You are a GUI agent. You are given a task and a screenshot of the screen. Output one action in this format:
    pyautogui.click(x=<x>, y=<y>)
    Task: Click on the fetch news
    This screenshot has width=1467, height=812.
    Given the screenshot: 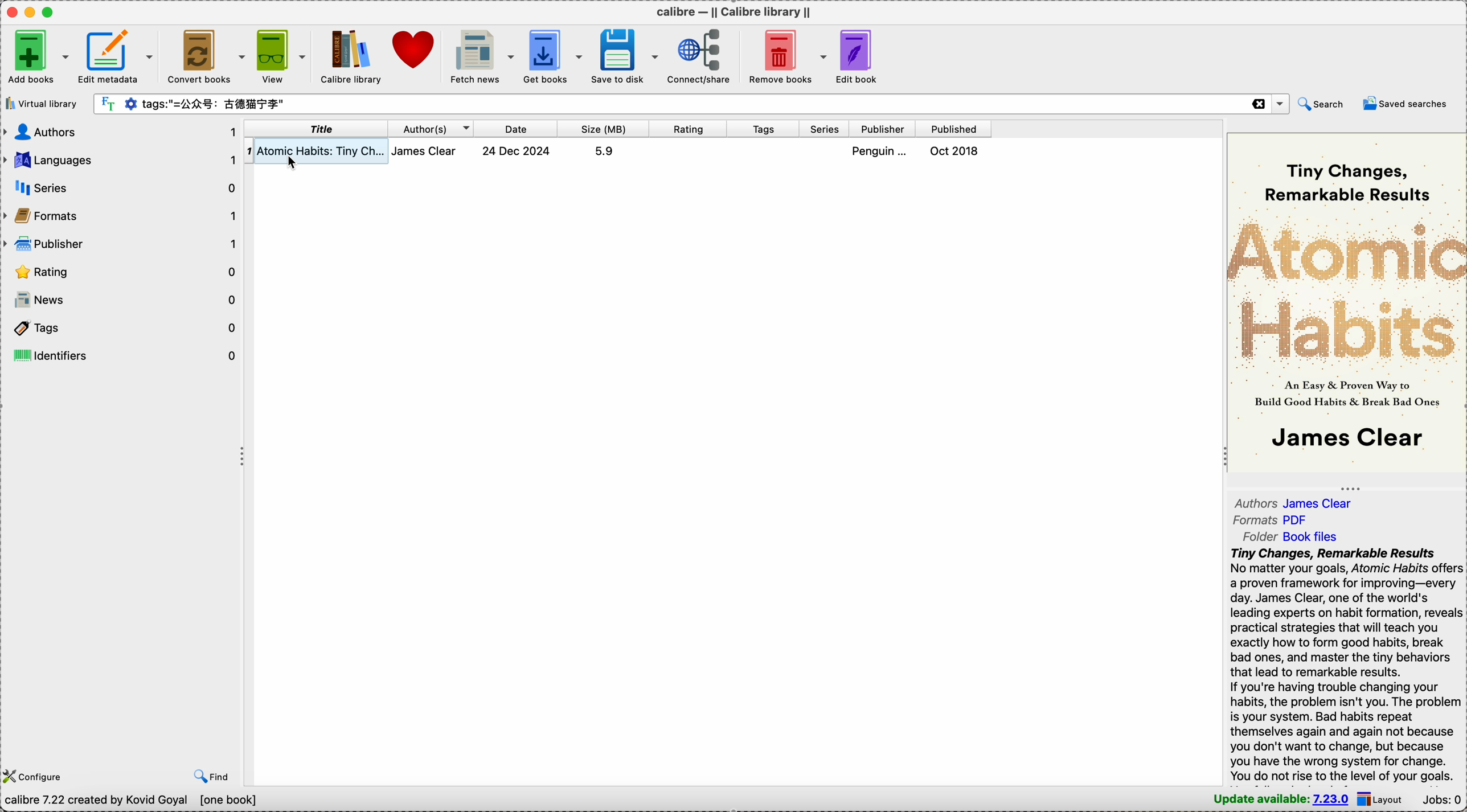 What is the action you would take?
    pyautogui.click(x=481, y=55)
    